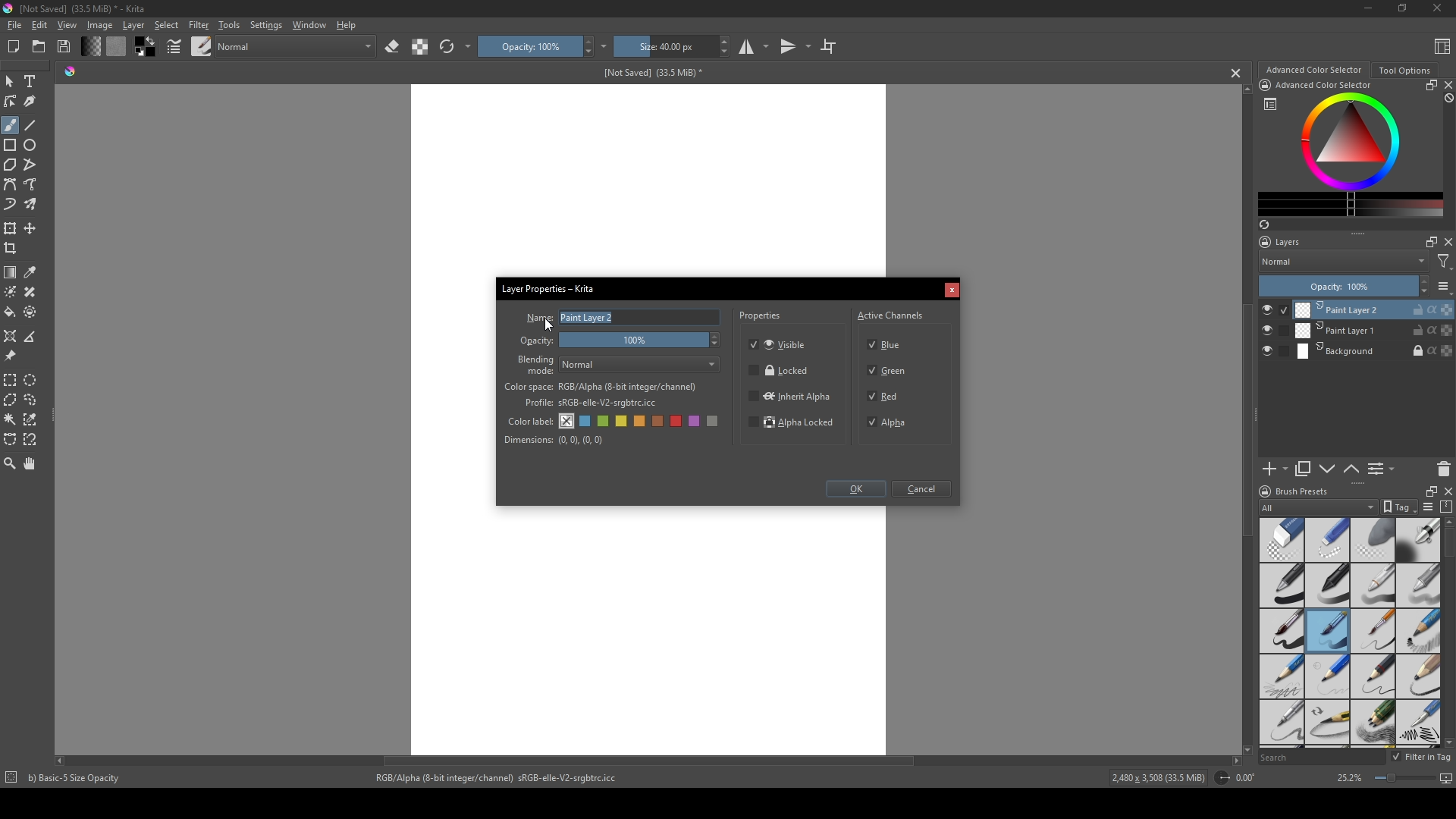 This screenshot has width=1456, height=819. Describe the element at coordinates (1244, 89) in the screenshot. I see `scroll up` at that location.